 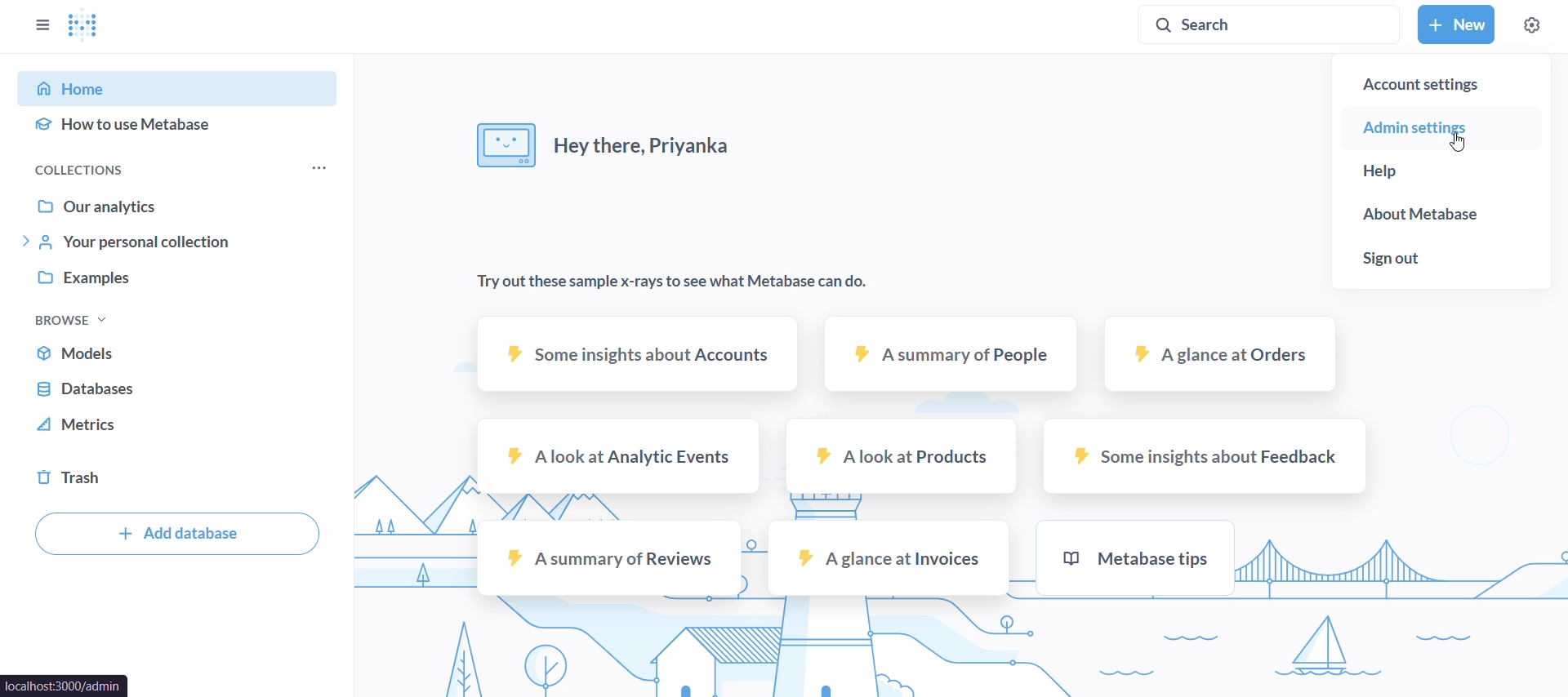 What do you see at coordinates (900, 455) in the screenshot?
I see `a look at products` at bounding box center [900, 455].